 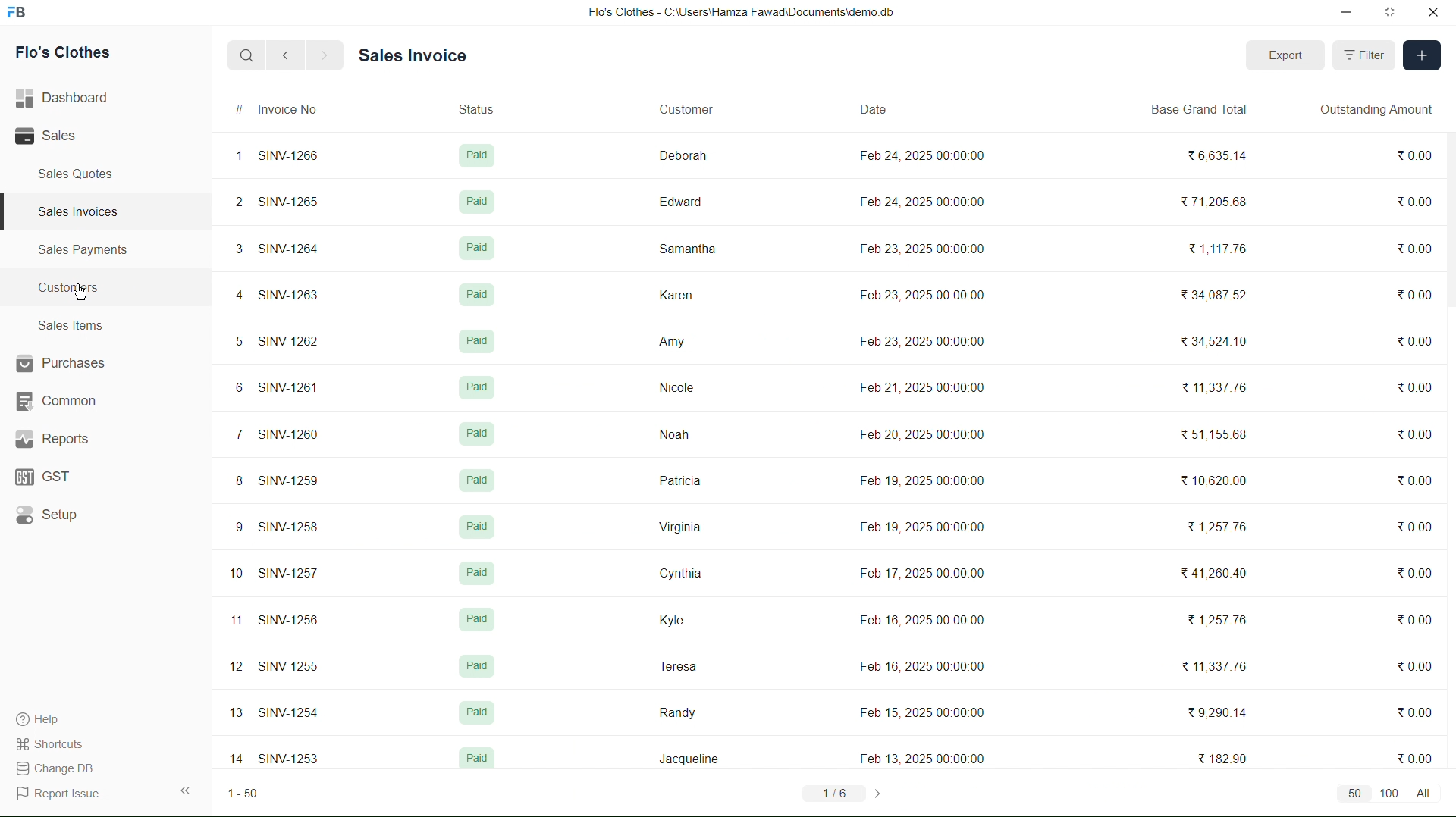 I want to click on Paid, so click(x=475, y=153).